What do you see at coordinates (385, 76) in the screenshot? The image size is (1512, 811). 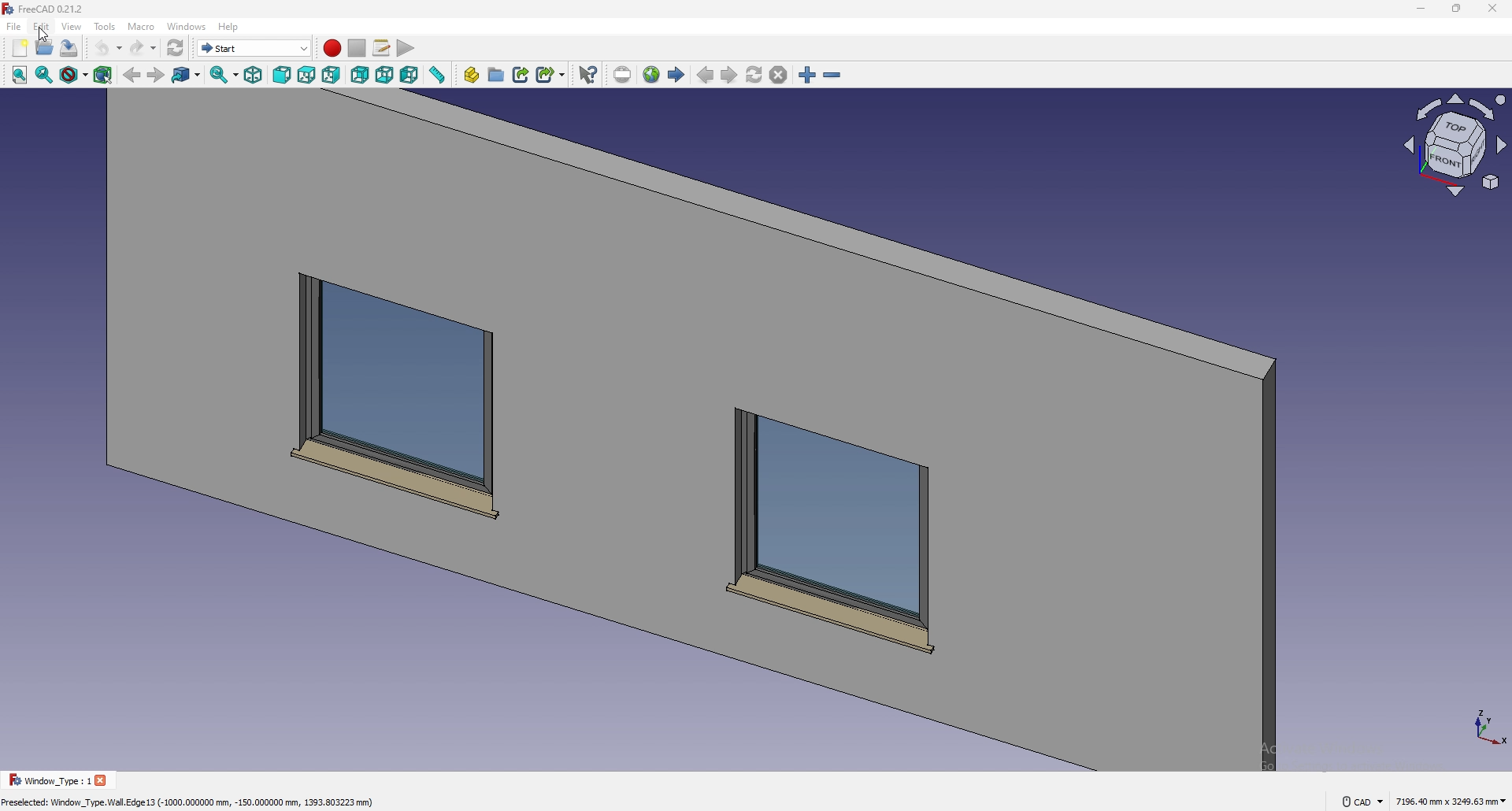 I see `bottom` at bounding box center [385, 76].